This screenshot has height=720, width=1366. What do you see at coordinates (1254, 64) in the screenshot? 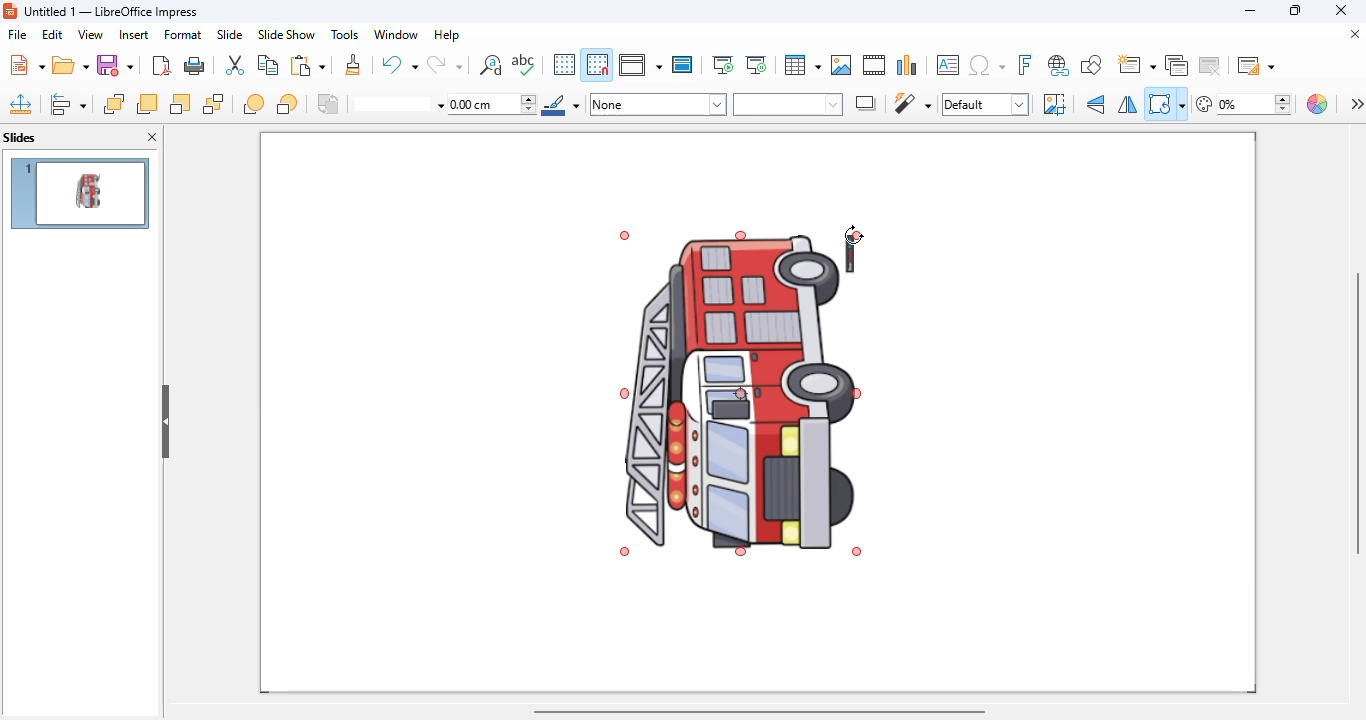
I see `slide layout` at bounding box center [1254, 64].